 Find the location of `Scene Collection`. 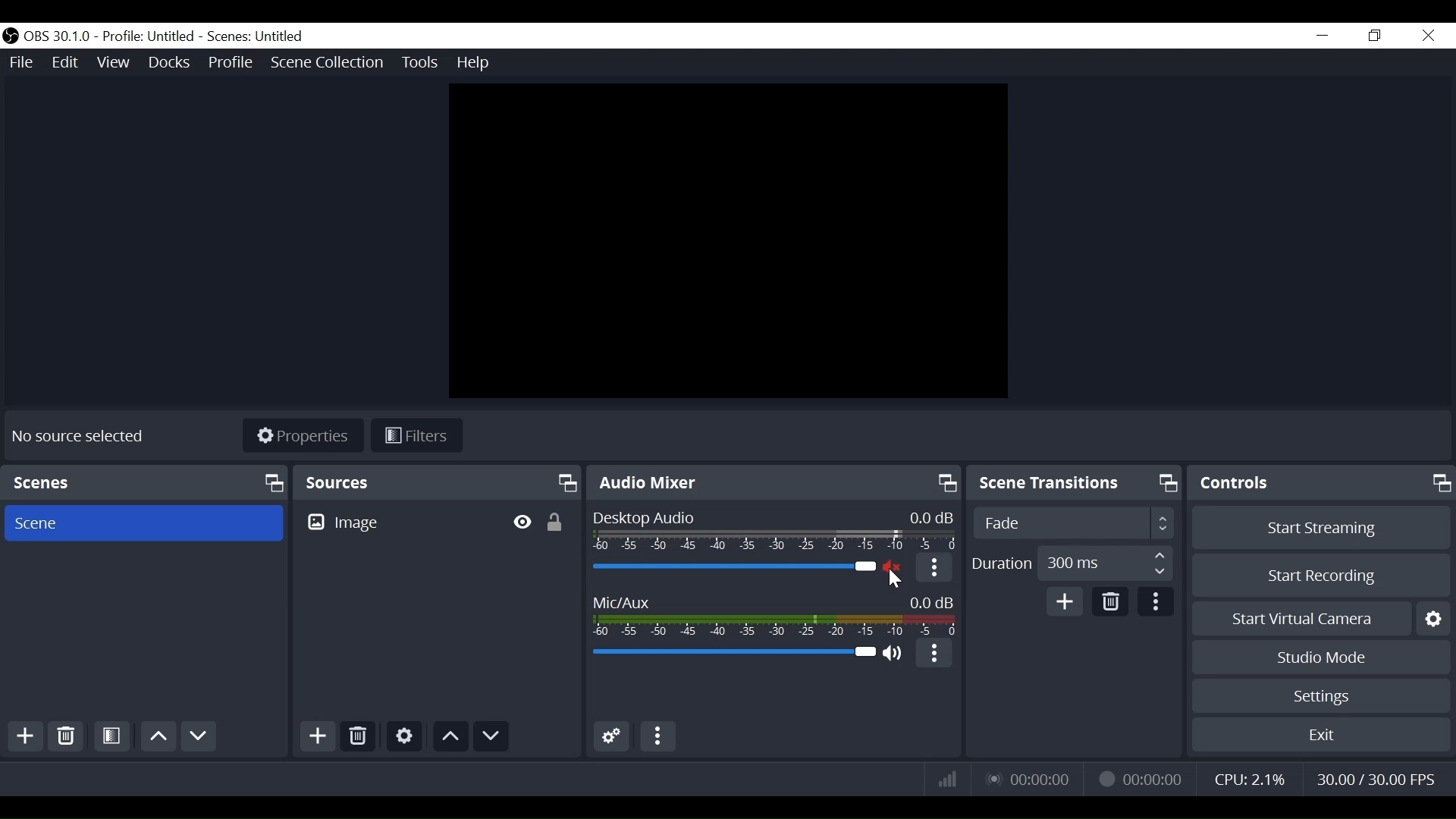

Scene Collection is located at coordinates (328, 63).